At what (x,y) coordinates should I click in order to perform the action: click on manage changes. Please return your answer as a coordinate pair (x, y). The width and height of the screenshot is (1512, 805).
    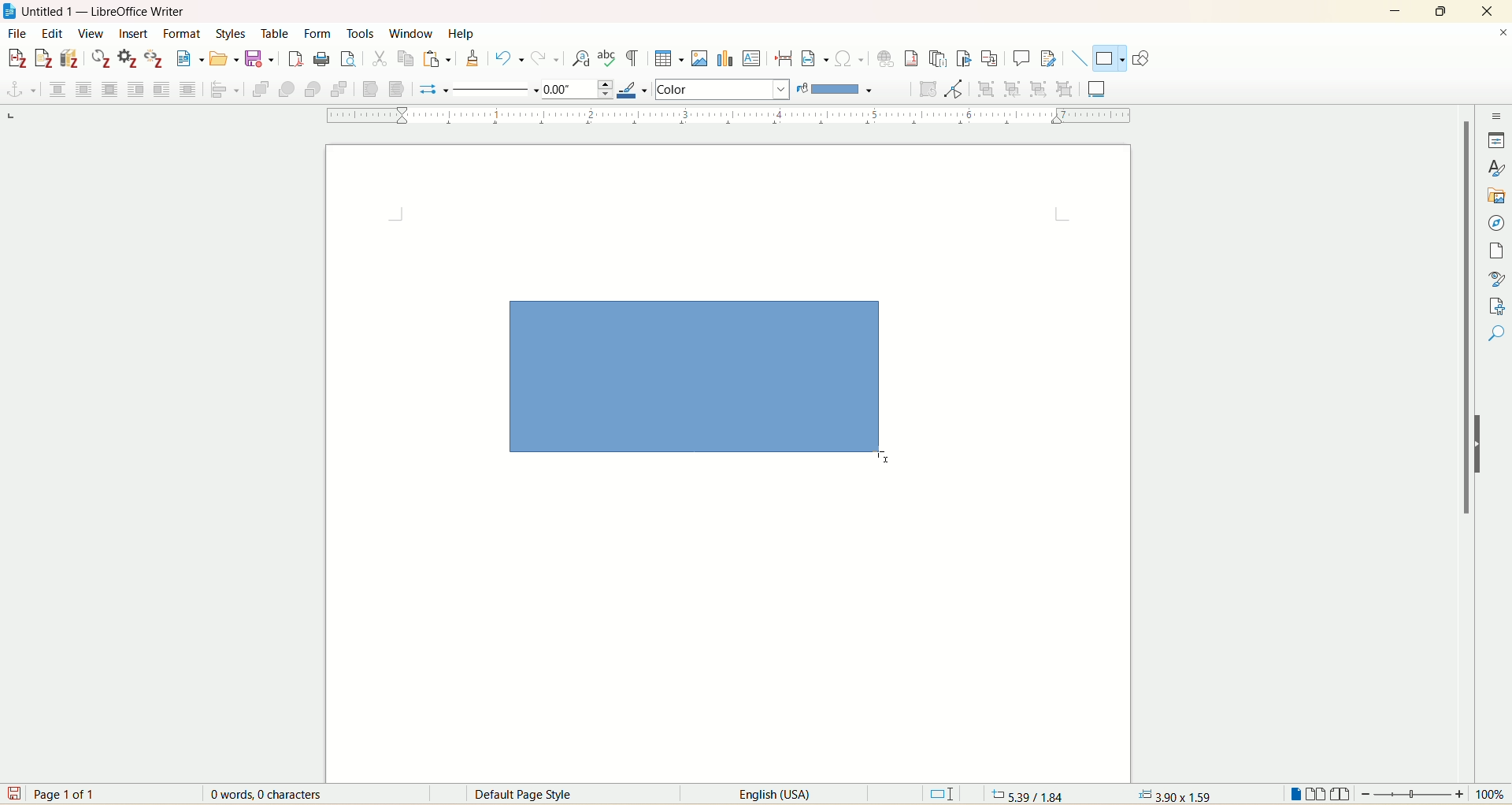
    Looking at the image, I should click on (1498, 305).